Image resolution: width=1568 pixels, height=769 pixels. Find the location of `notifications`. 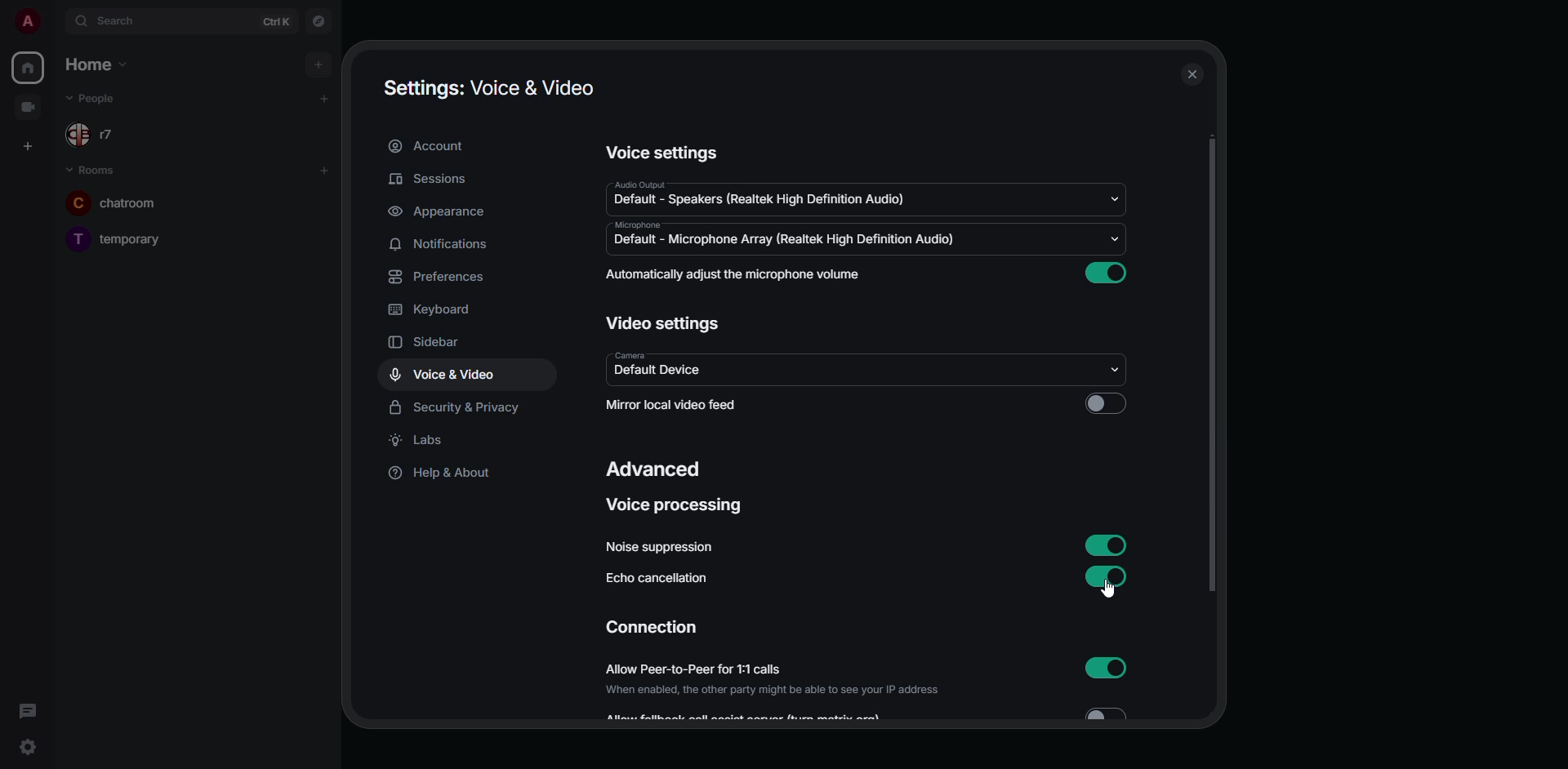

notifications is located at coordinates (442, 244).